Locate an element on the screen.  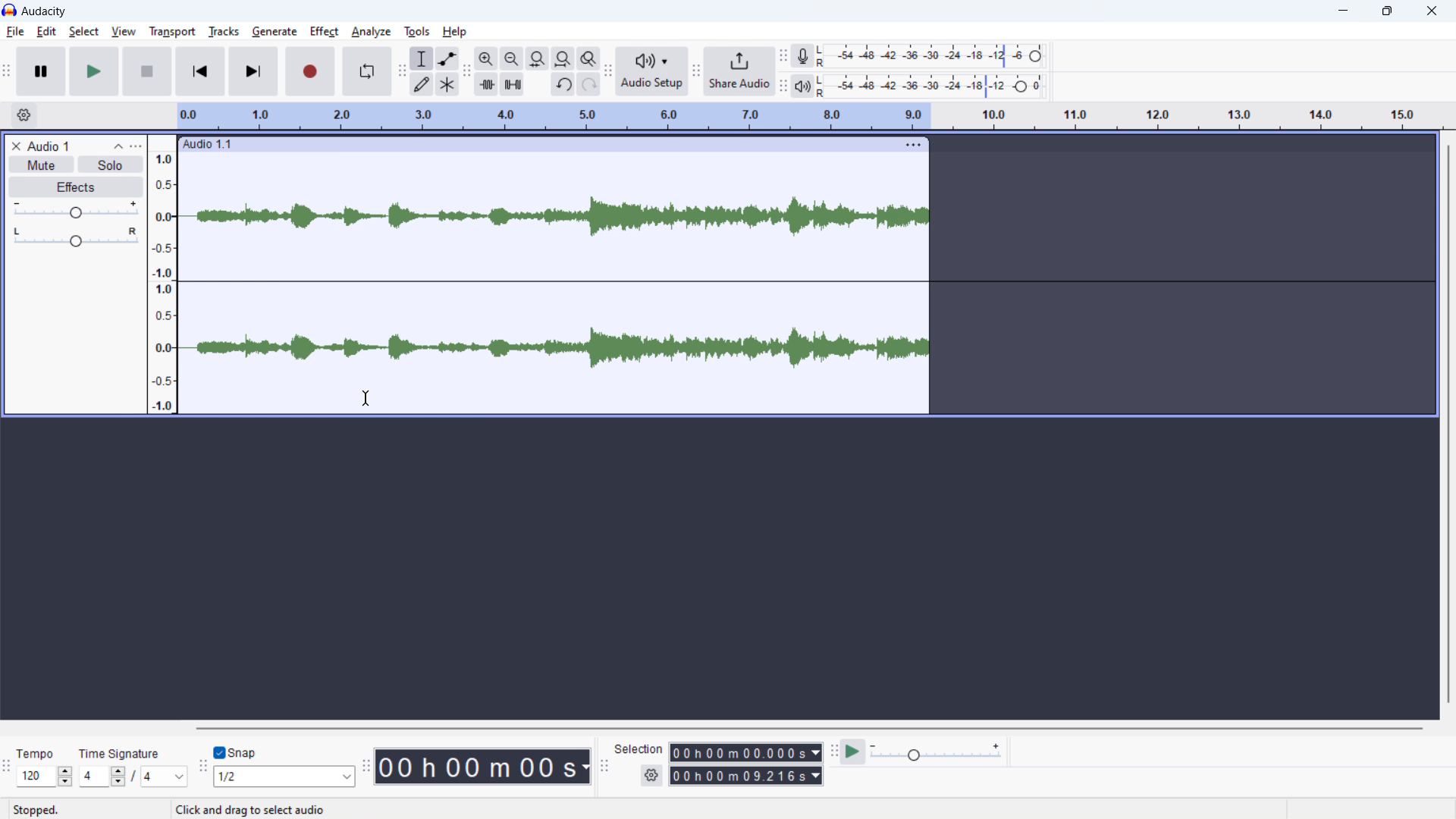
share audio toolbar is located at coordinates (695, 73).